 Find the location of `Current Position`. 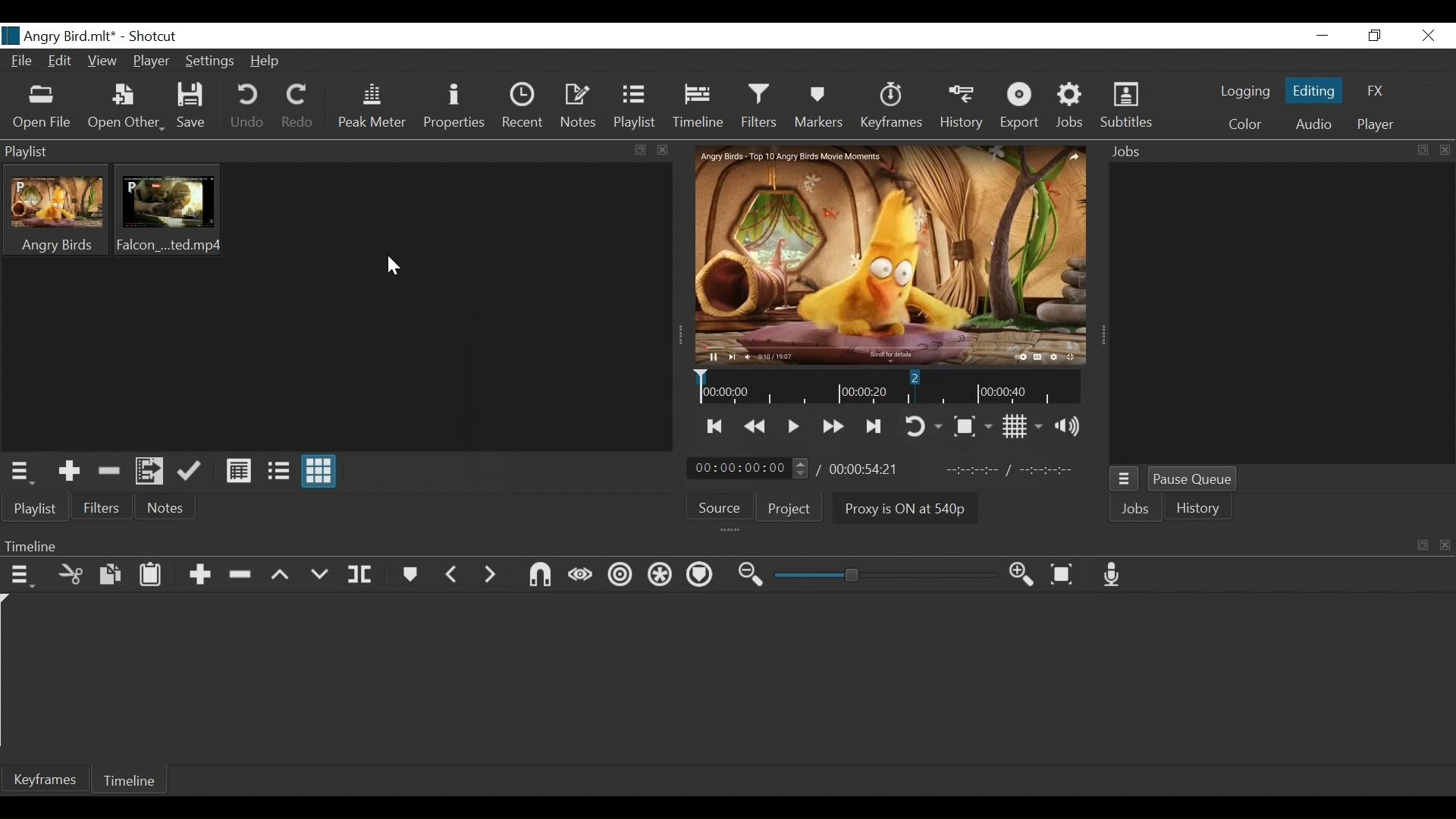

Current Position is located at coordinates (747, 467).